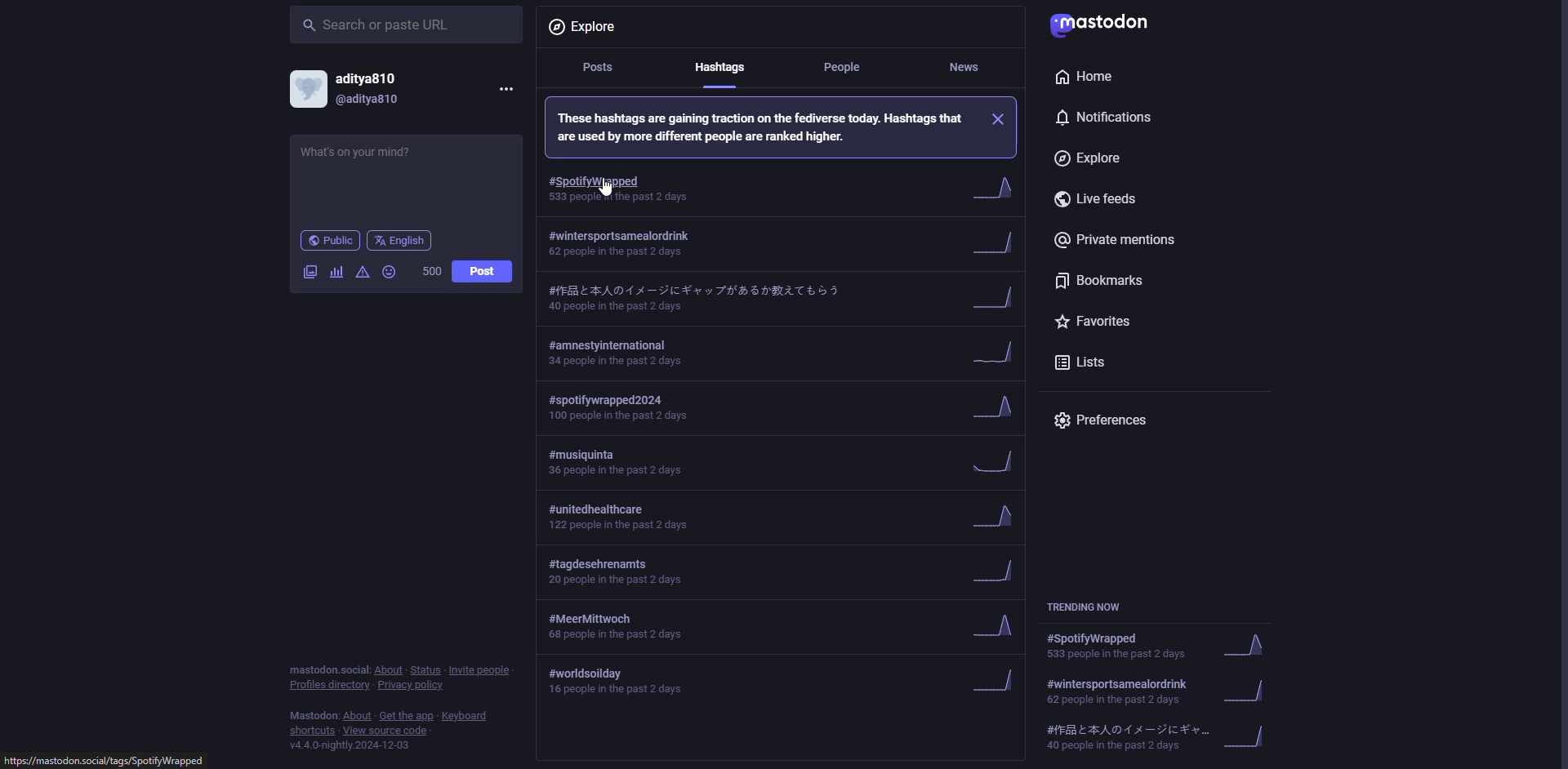 Image resolution: width=1568 pixels, height=769 pixels. What do you see at coordinates (627, 517) in the screenshot?
I see `hashtag` at bounding box center [627, 517].